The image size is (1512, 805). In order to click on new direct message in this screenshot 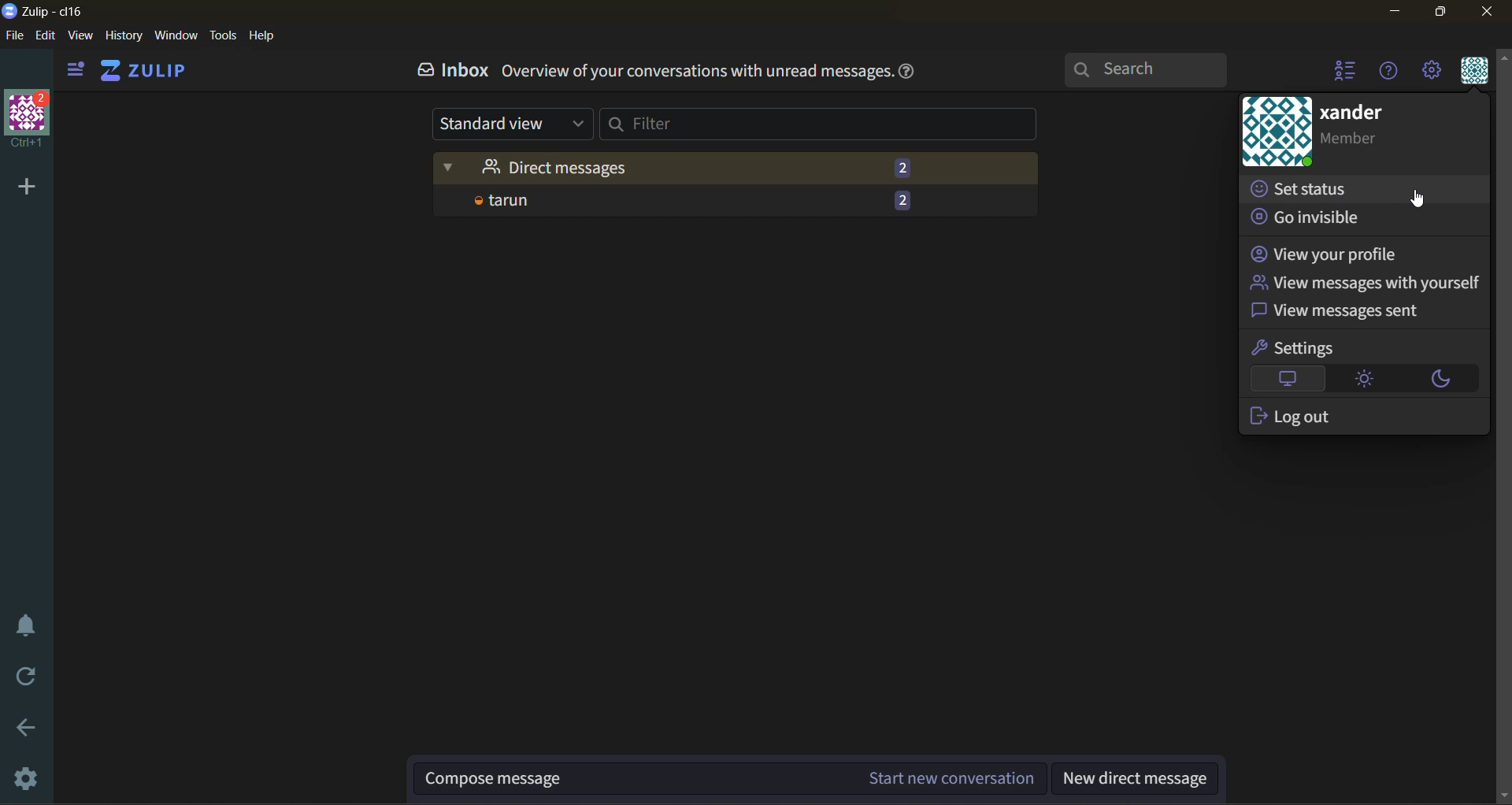, I will do `click(1136, 777)`.